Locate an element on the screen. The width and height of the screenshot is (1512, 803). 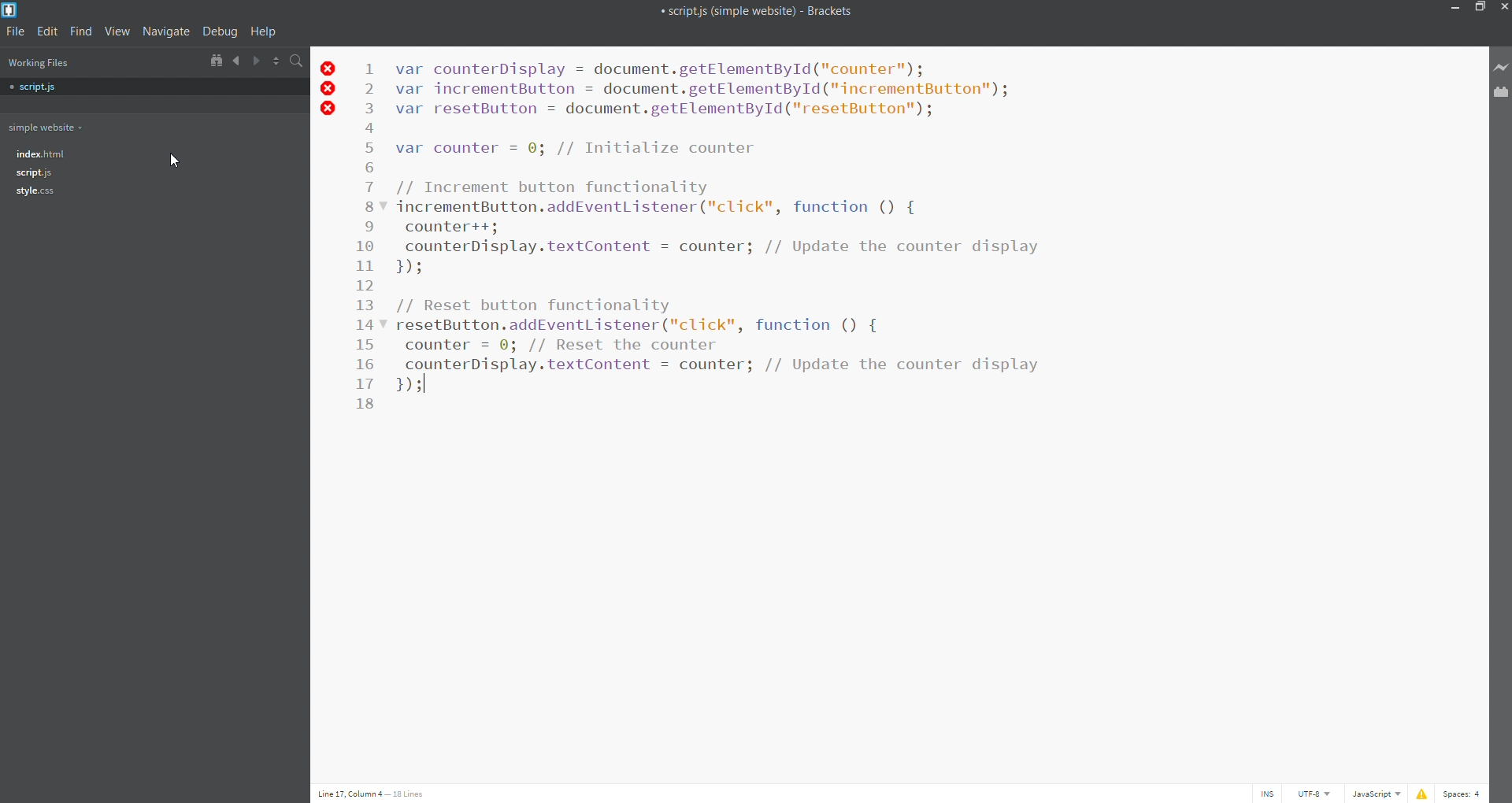
view is located at coordinates (120, 31).